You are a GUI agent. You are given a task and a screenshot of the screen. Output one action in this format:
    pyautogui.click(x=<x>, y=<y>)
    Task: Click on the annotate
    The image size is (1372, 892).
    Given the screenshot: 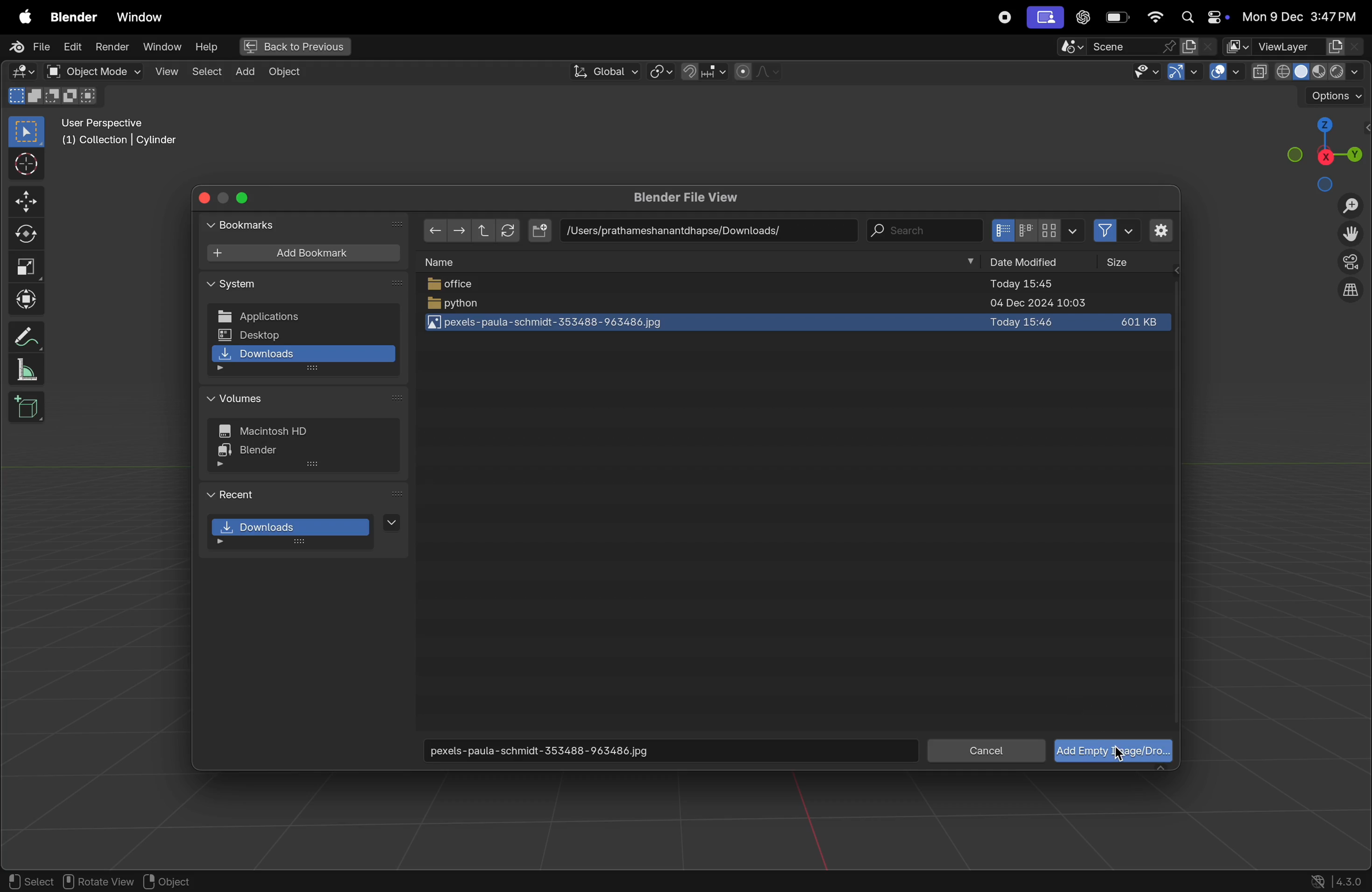 What is the action you would take?
    pyautogui.click(x=24, y=337)
    